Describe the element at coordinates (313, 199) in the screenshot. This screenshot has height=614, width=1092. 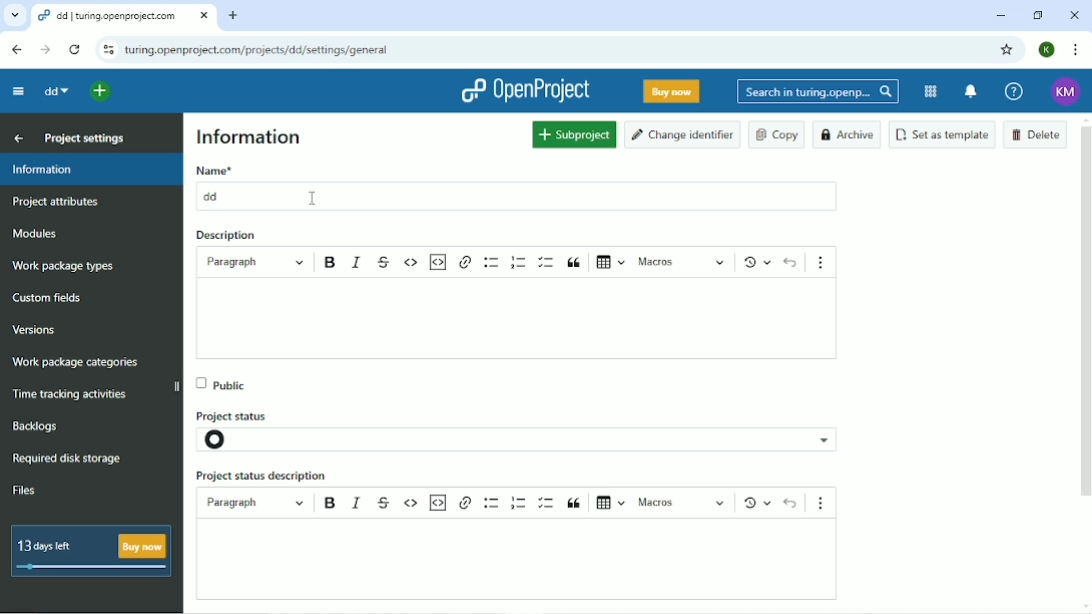
I see `Cursor` at that location.